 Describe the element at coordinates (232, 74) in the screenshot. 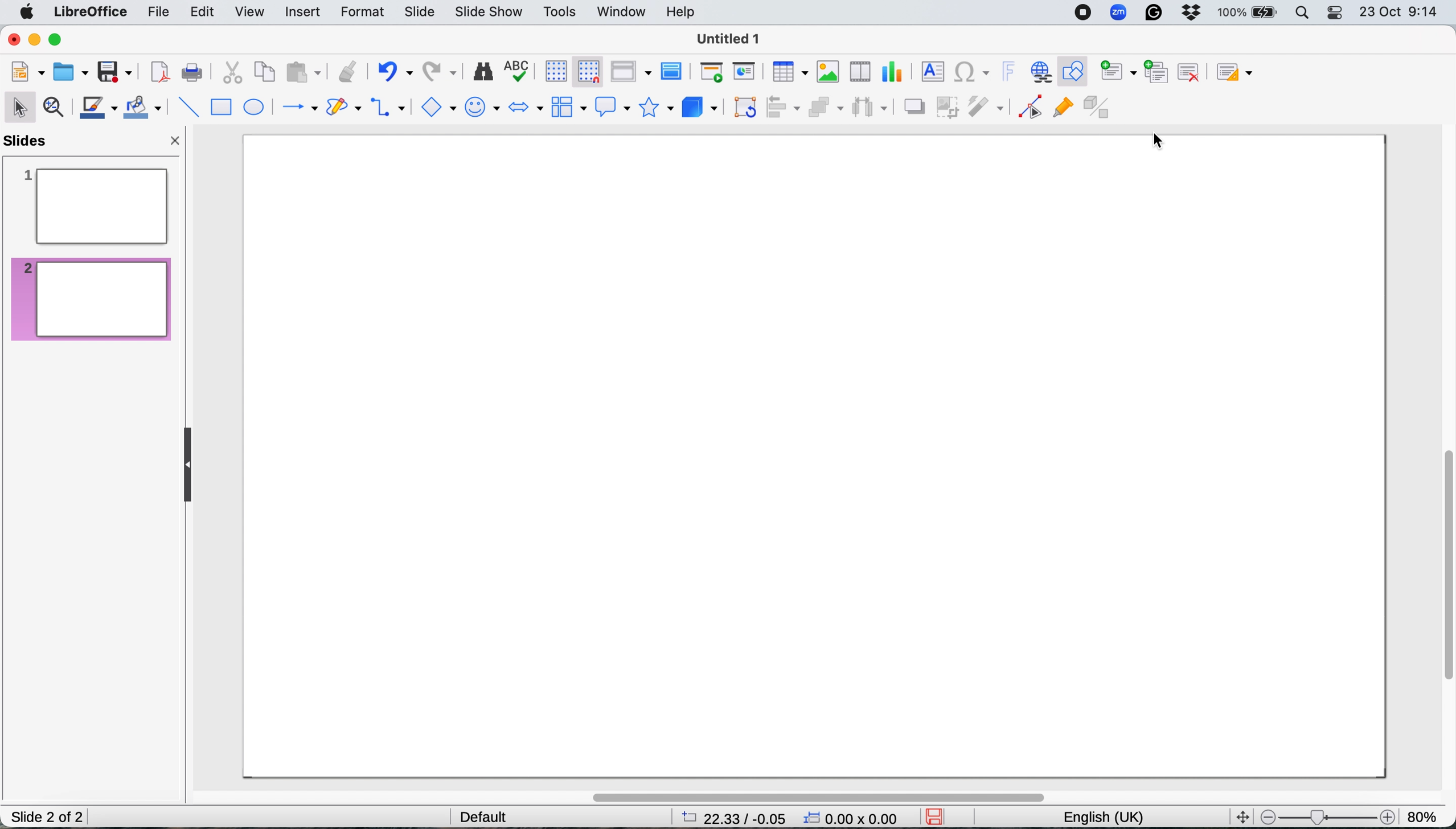

I see `cut` at that location.